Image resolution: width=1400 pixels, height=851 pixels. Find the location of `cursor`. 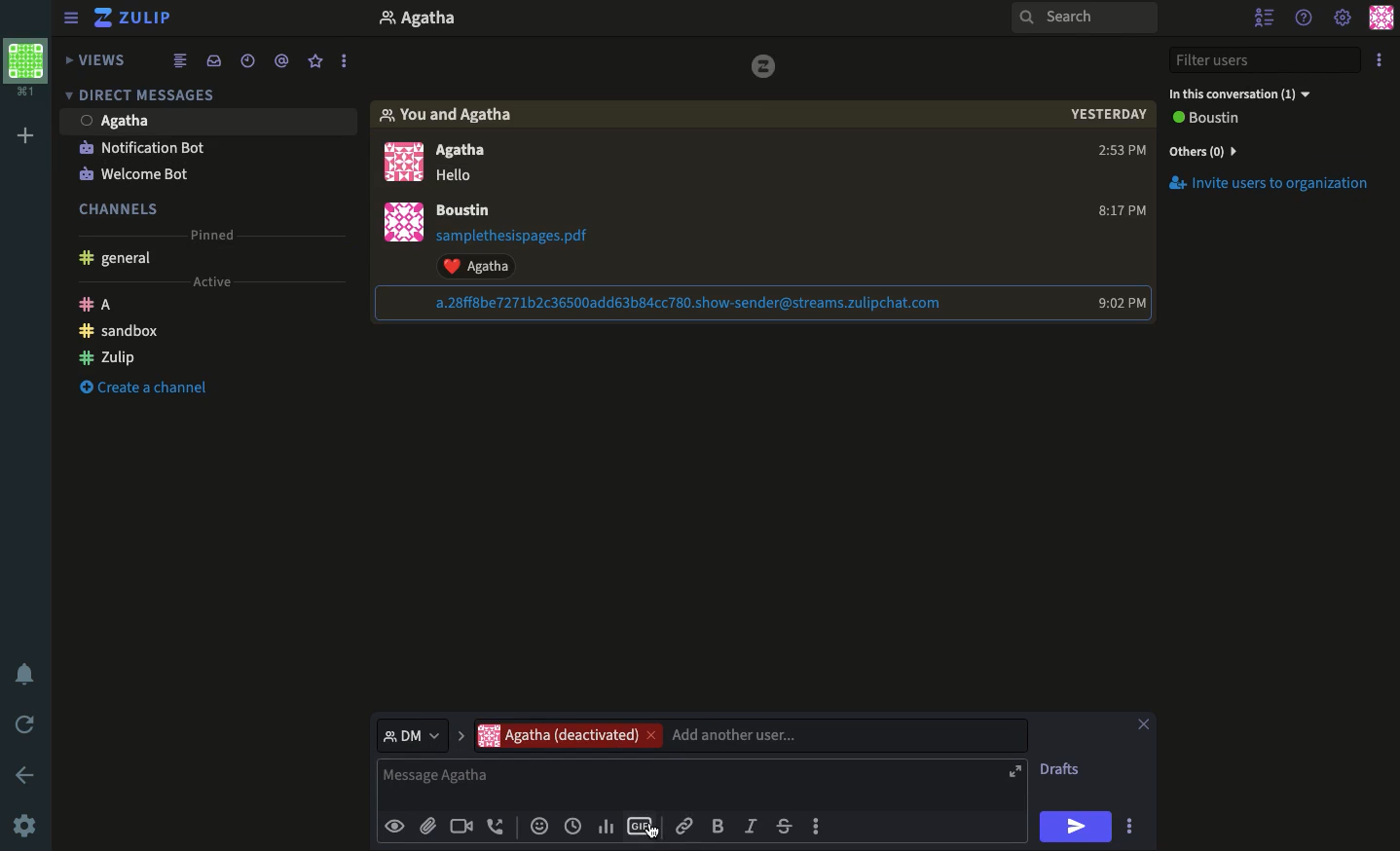

cursor is located at coordinates (656, 836).